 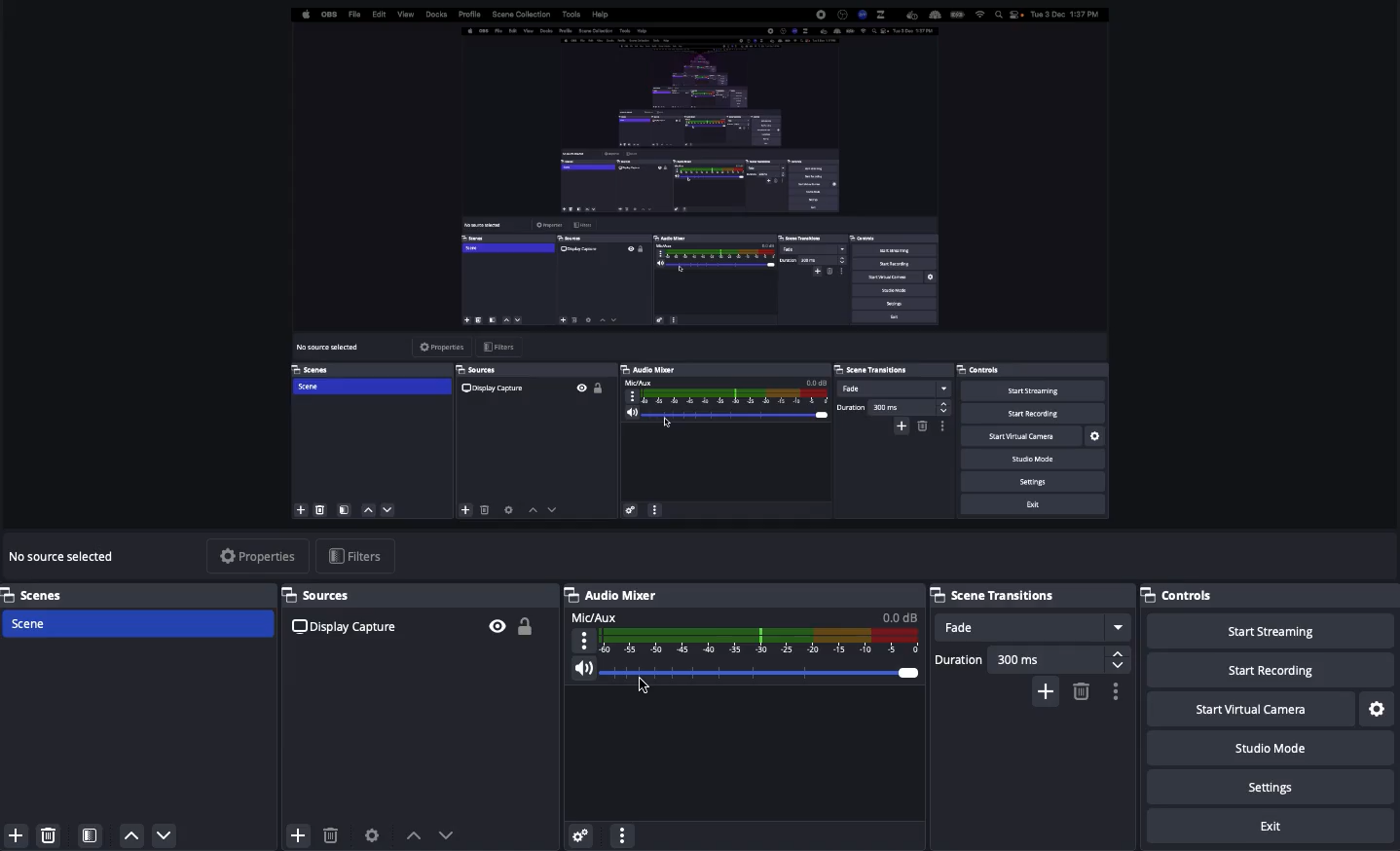 I want to click on Scene, so click(x=139, y=625).